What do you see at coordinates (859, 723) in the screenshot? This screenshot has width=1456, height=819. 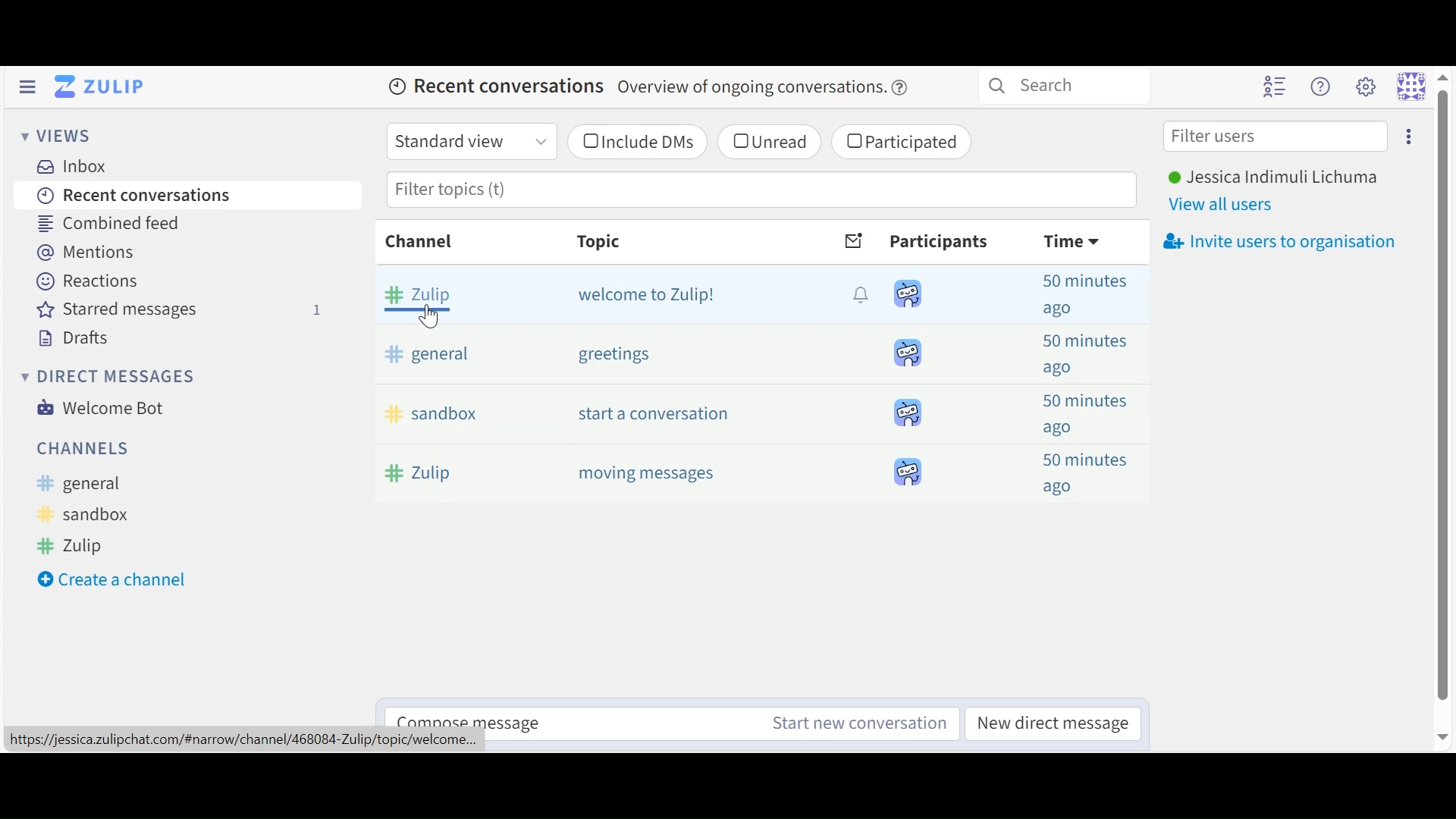 I see `New Channel message` at bounding box center [859, 723].